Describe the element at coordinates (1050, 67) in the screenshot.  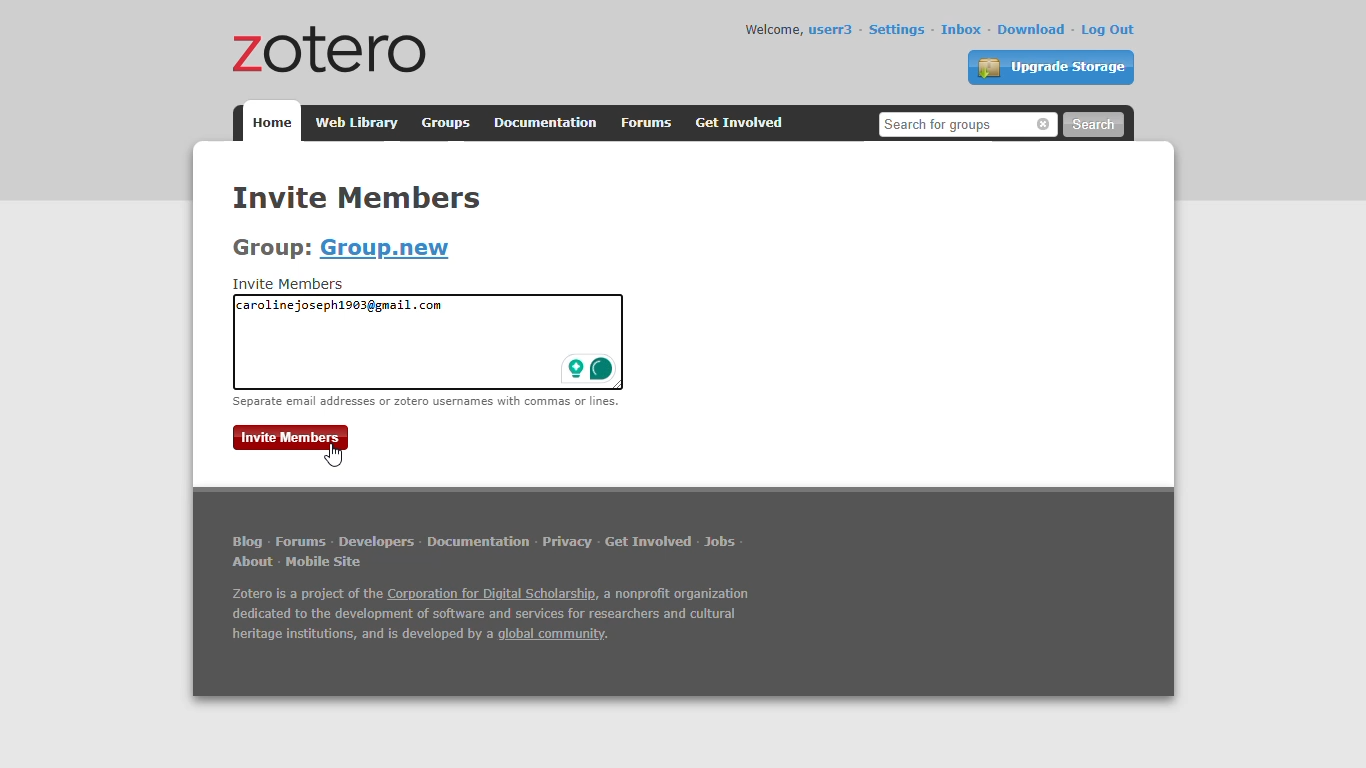
I see `upgrade storage` at that location.